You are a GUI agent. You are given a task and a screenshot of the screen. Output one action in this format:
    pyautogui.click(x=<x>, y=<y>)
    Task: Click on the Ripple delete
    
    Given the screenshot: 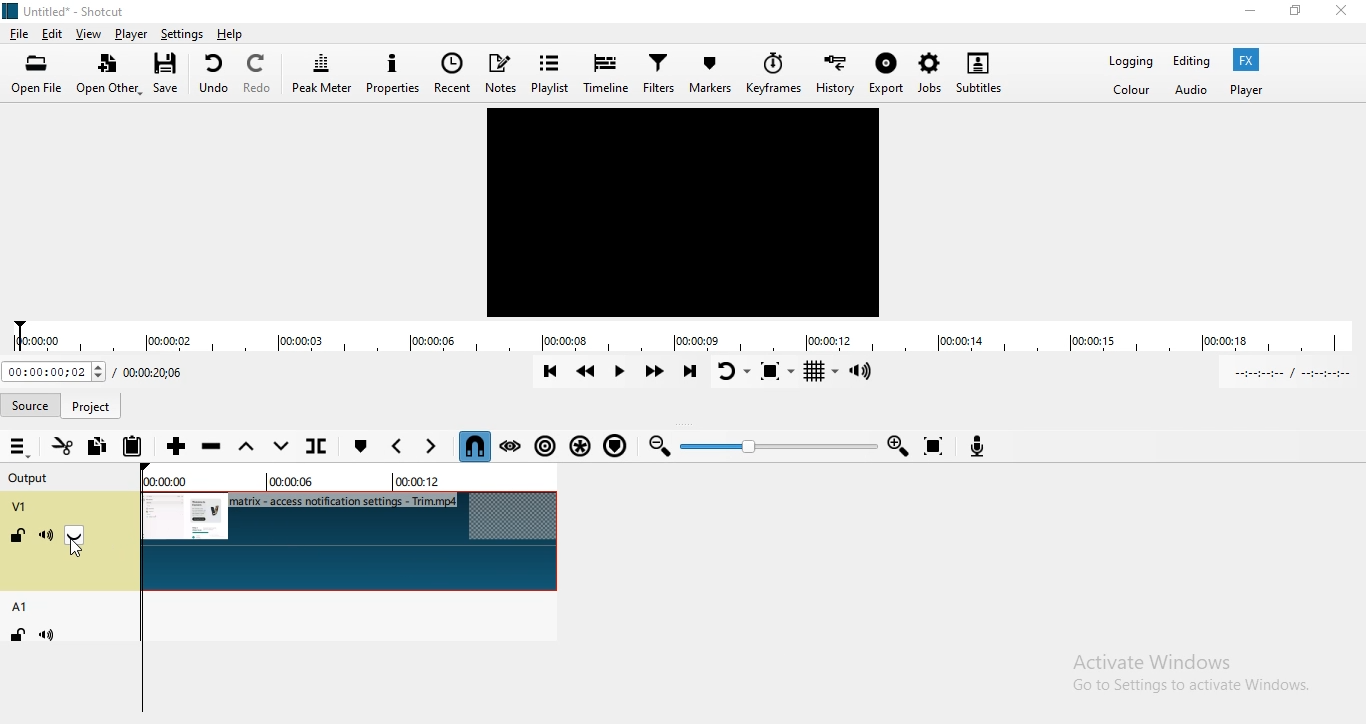 What is the action you would take?
    pyautogui.click(x=213, y=448)
    